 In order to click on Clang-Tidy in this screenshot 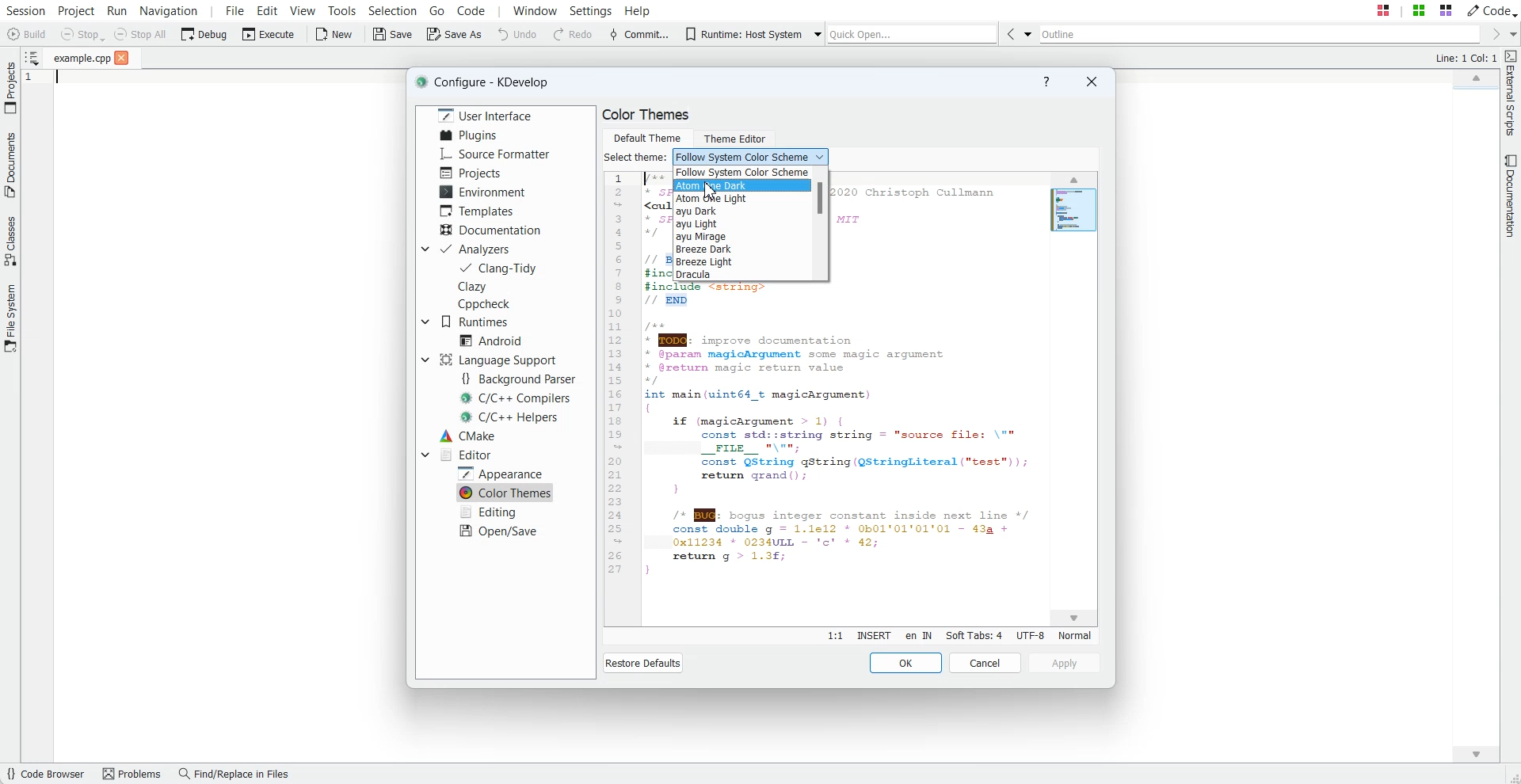, I will do `click(499, 268)`.